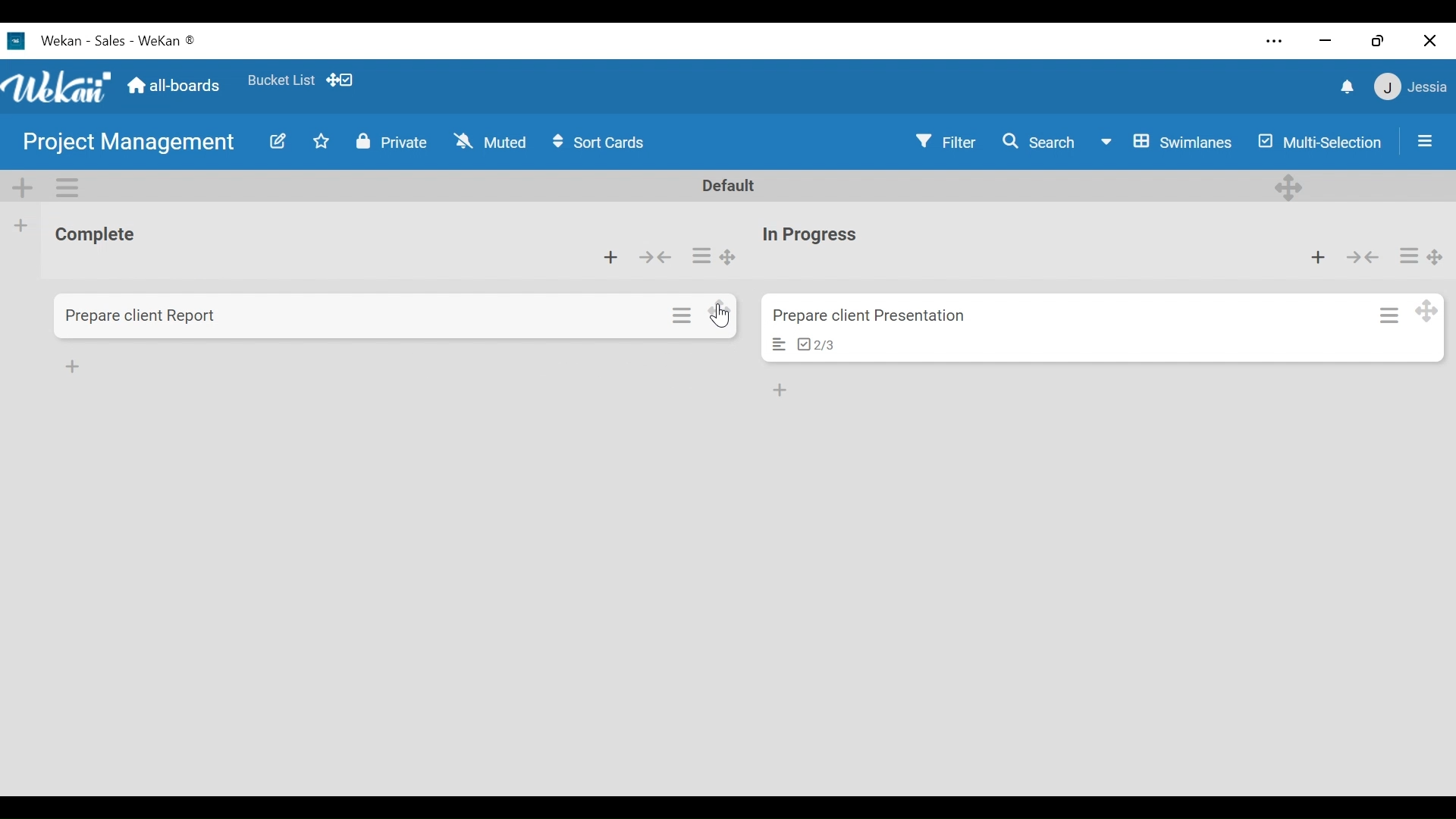  I want to click on notifications, so click(1341, 86).